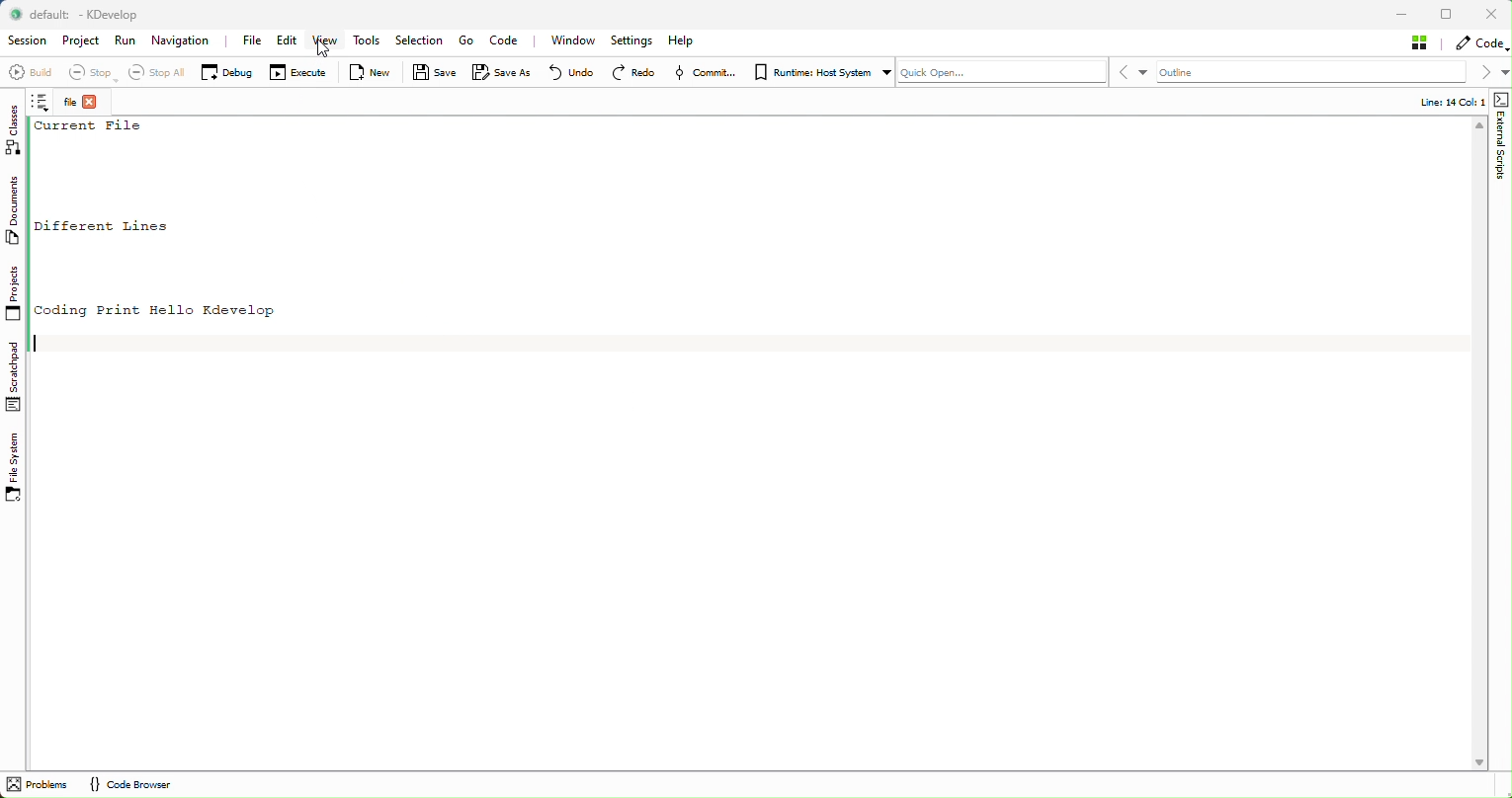 This screenshot has width=1512, height=798. What do you see at coordinates (1402, 13) in the screenshot?
I see `Minimize` at bounding box center [1402, 13].